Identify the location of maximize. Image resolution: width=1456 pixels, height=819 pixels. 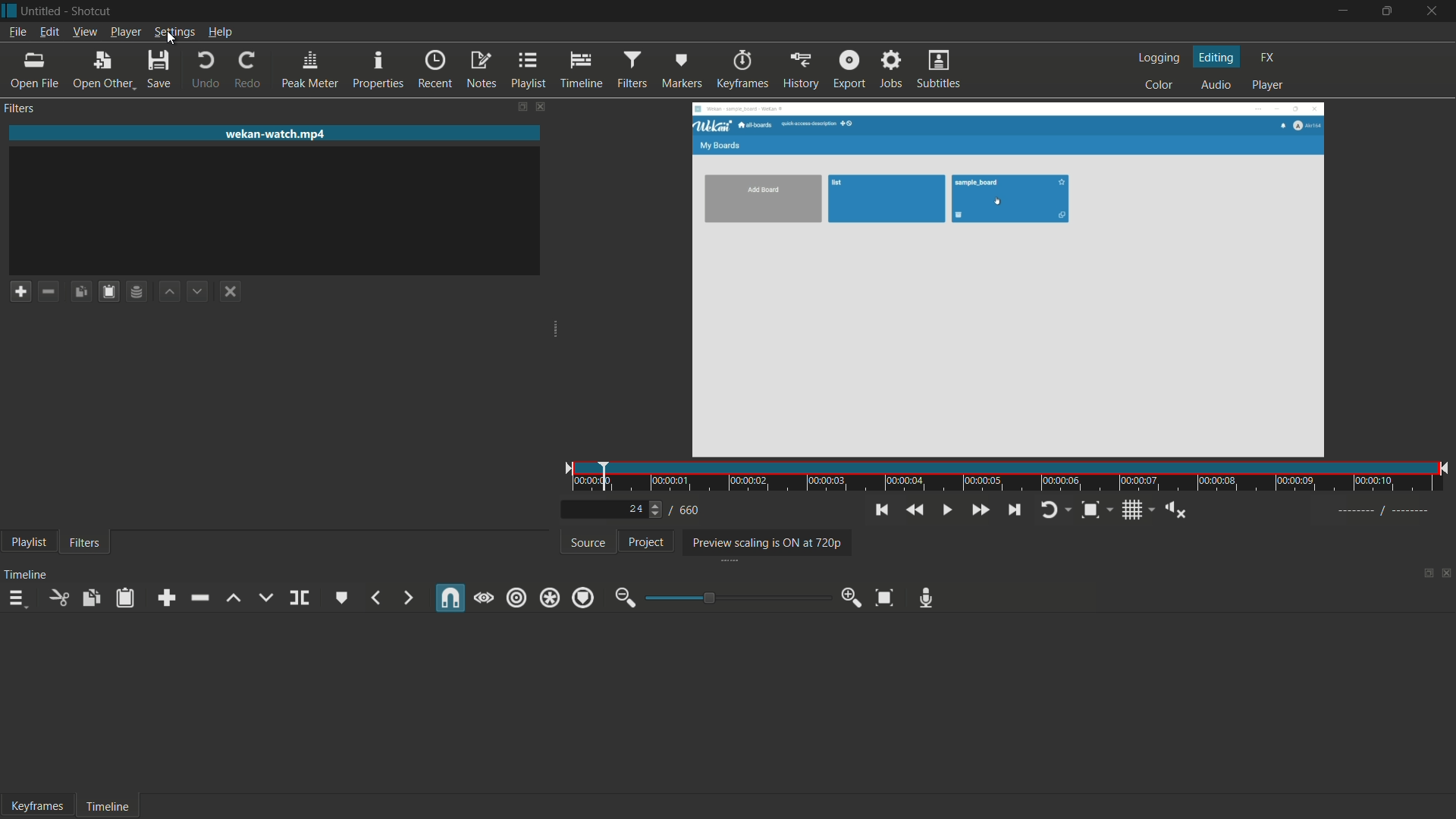
(1387, 11).